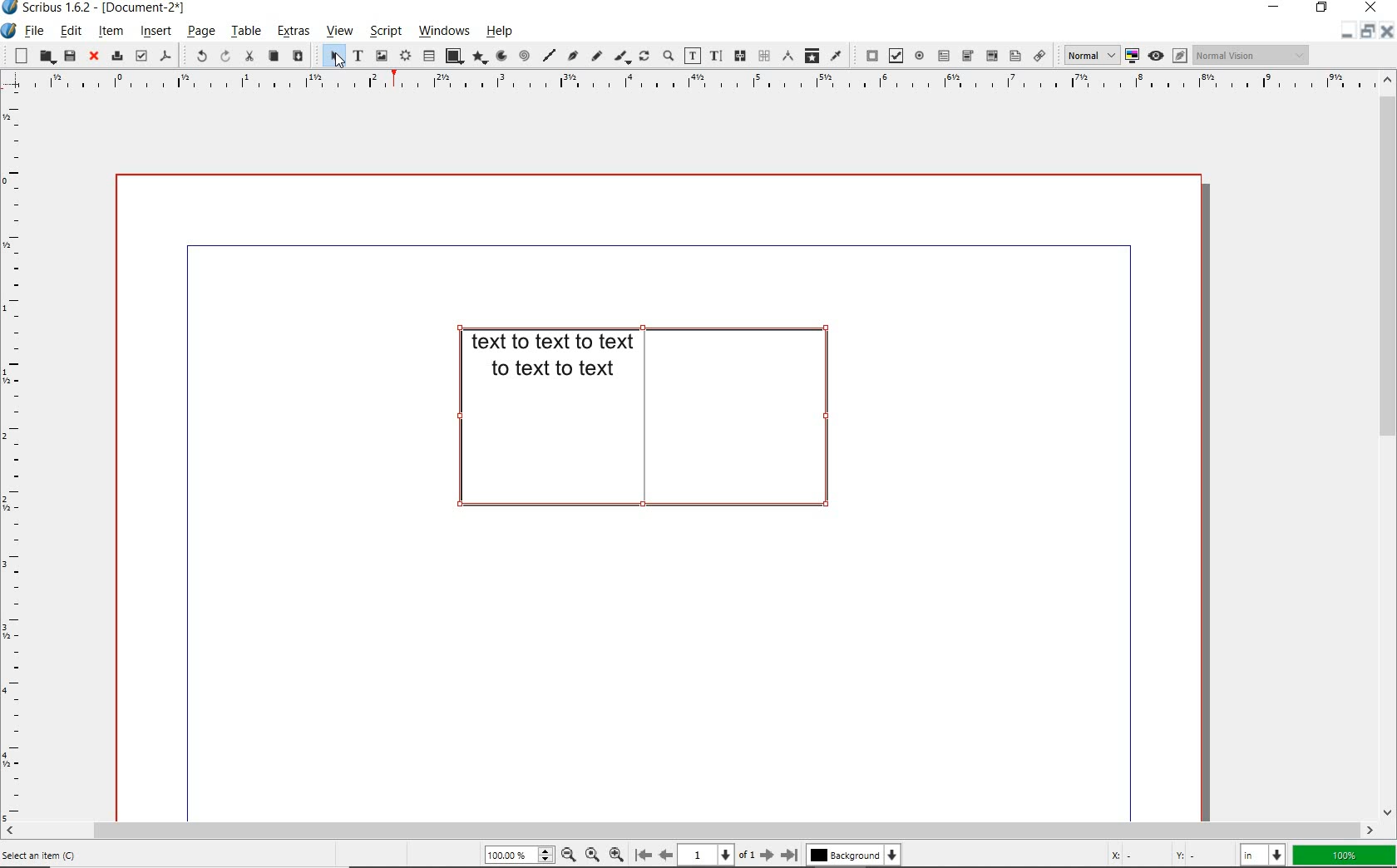 This screenshot has height=868, width=1397. Describe the element at coordinates (763, 57) in the screenshot. I see `unlink text frames` at that location.